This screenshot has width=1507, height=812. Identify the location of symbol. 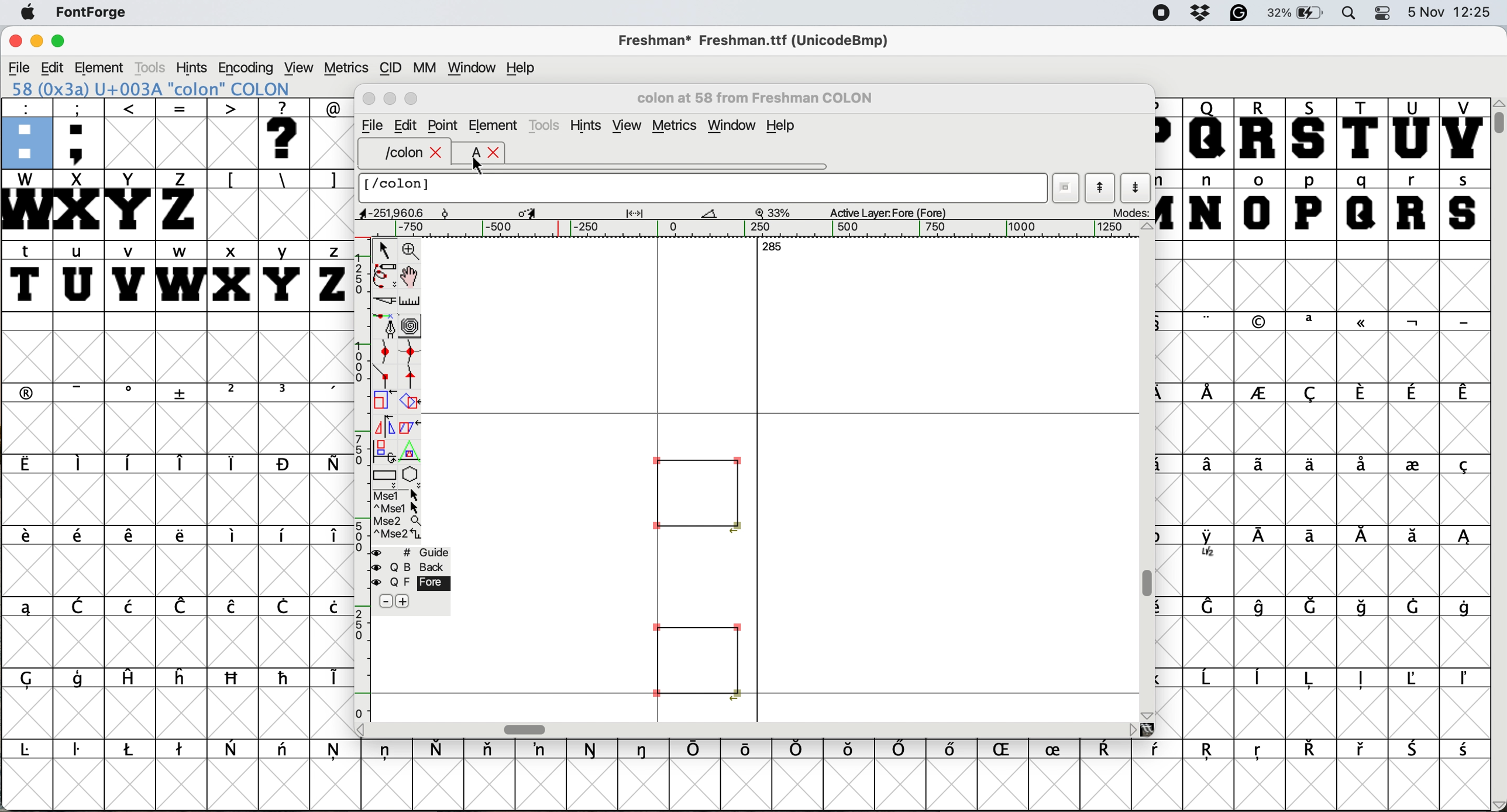
(234, 679).